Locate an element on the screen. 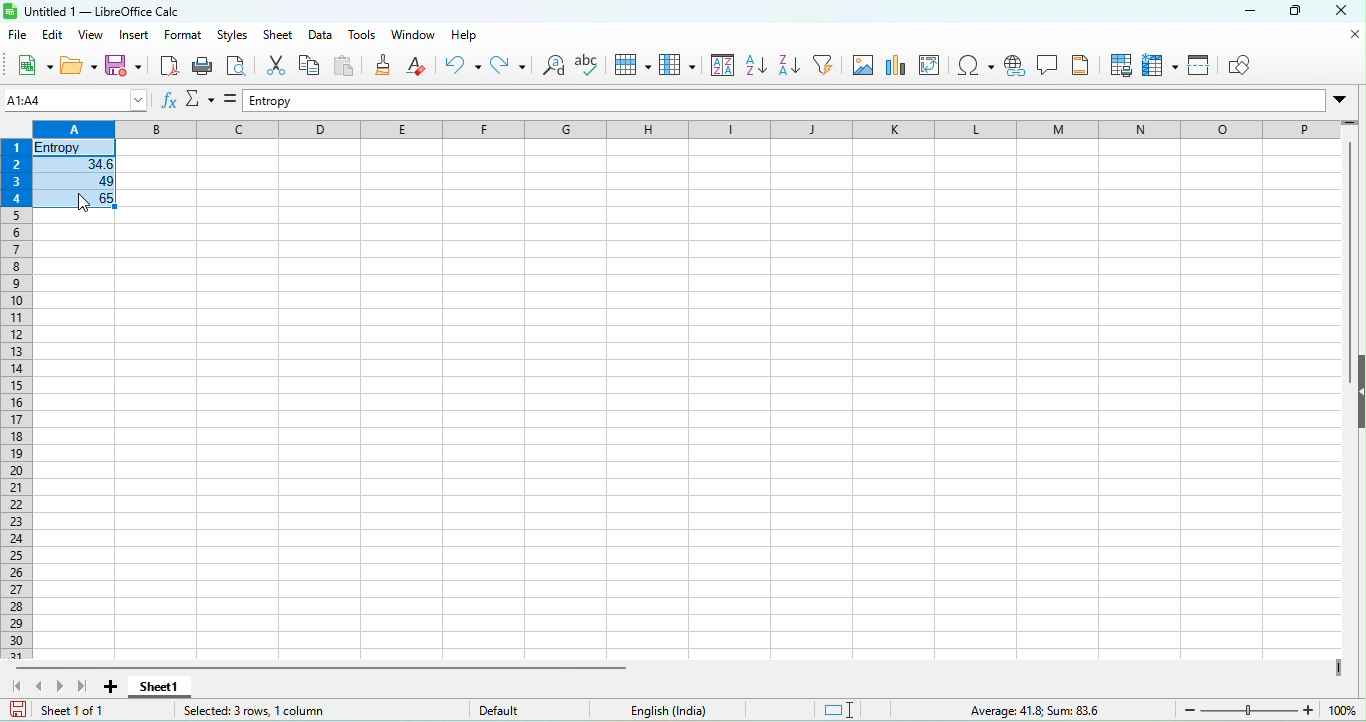 This screenshot has width=1366, height=722. standard selection is located at coordinates (840, 709).